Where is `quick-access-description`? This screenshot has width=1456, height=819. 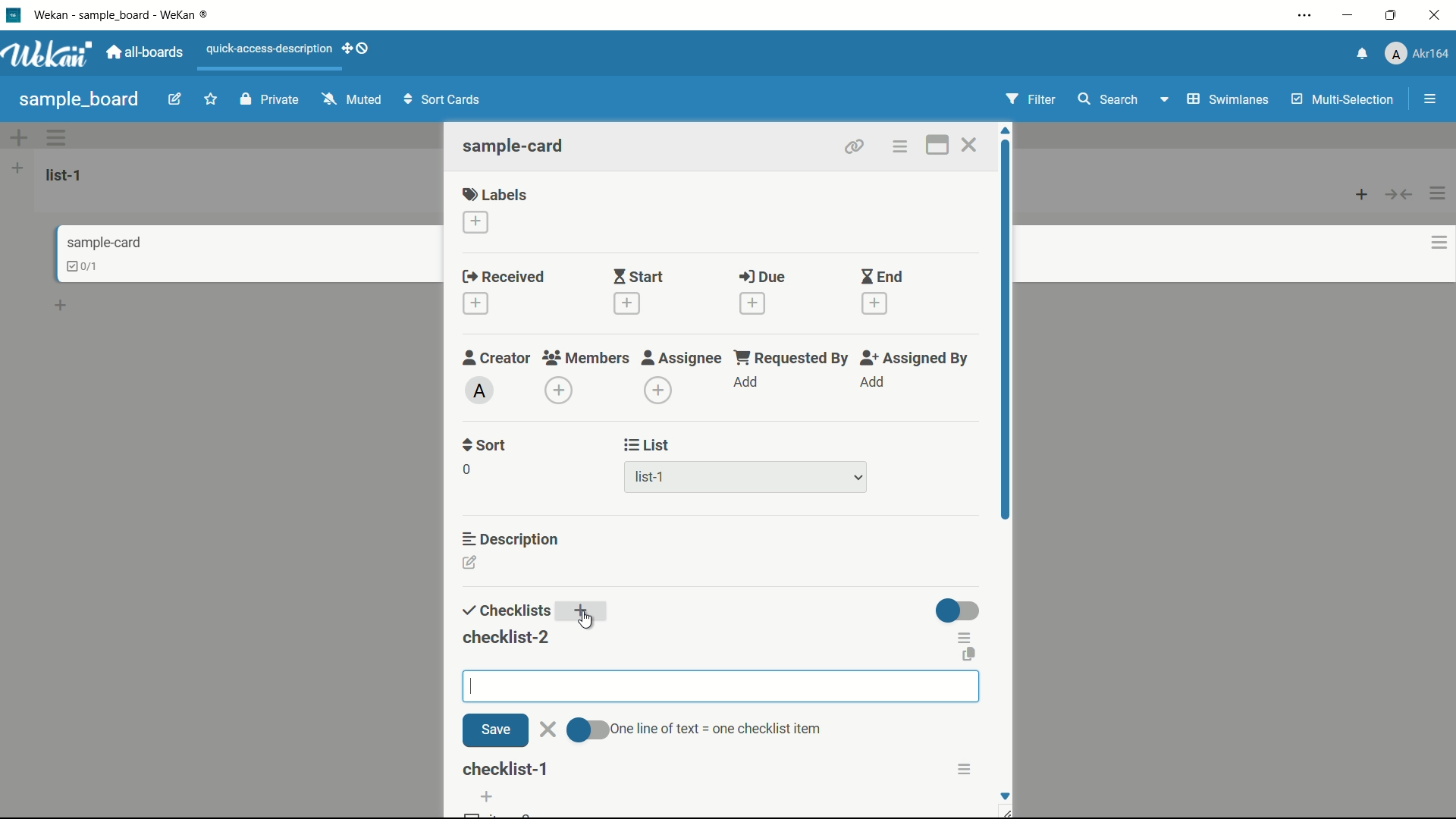 quick-access-description is located at coordinates (270, 49).